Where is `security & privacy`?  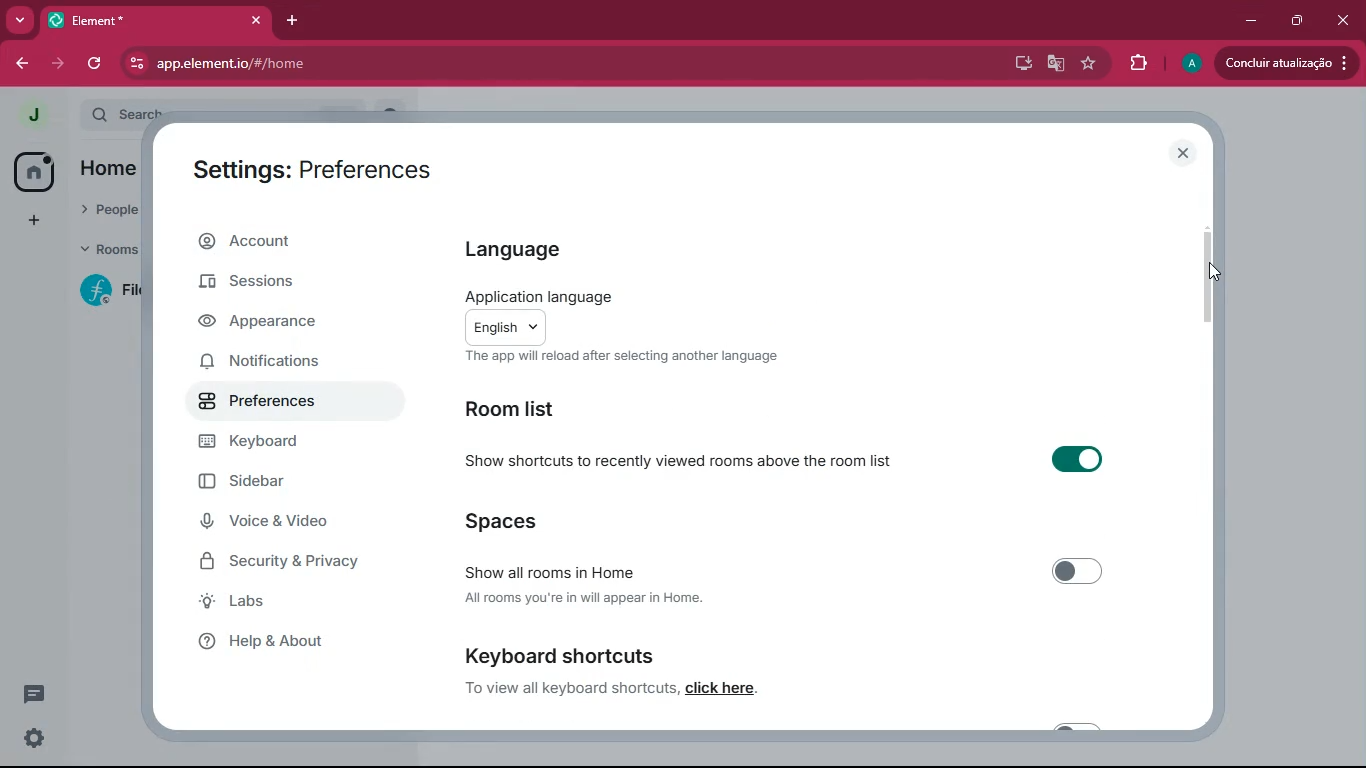
security & privacy is located at coordinates (291, 563).